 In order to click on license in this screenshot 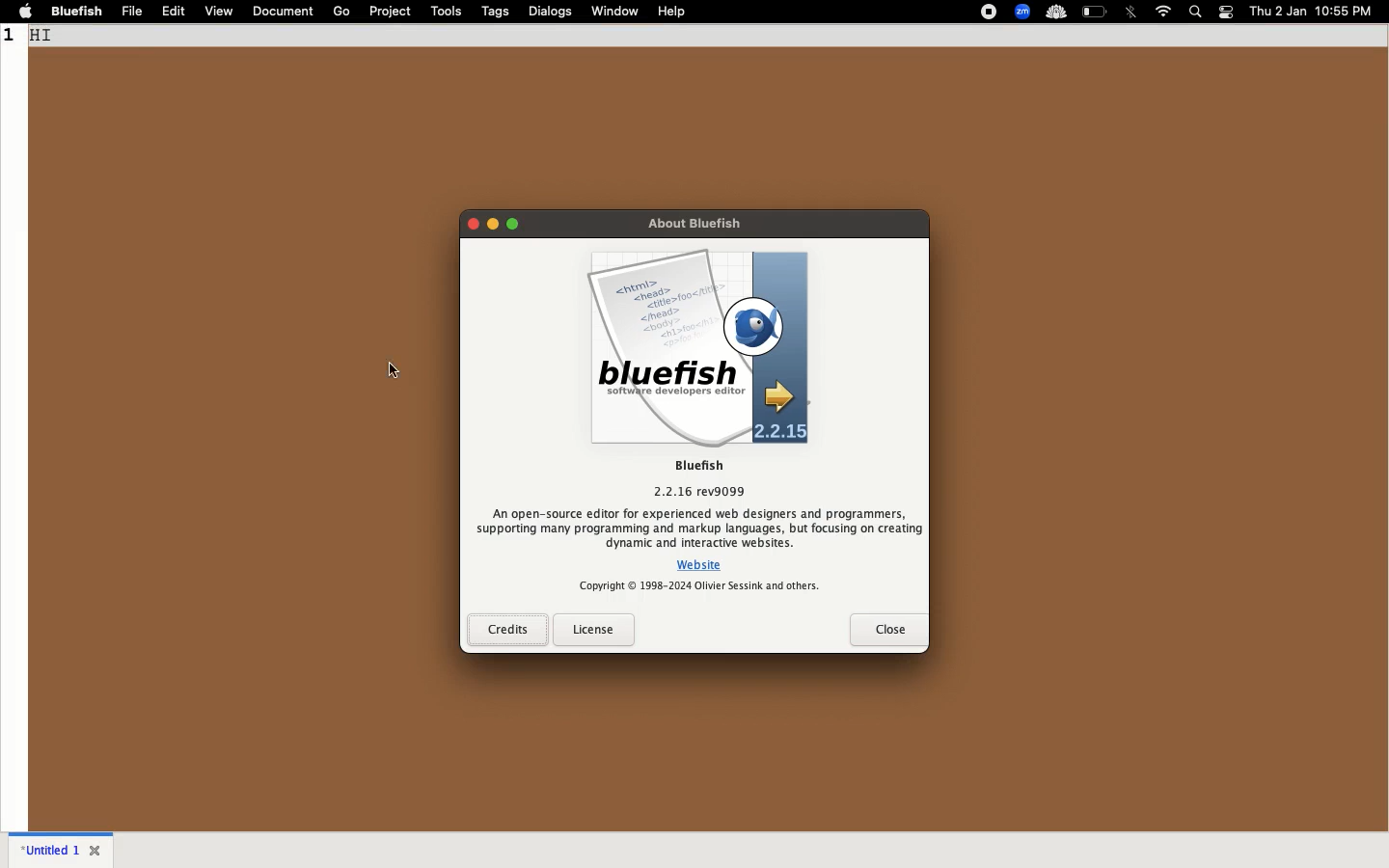, I will do `click(594, 630)`.